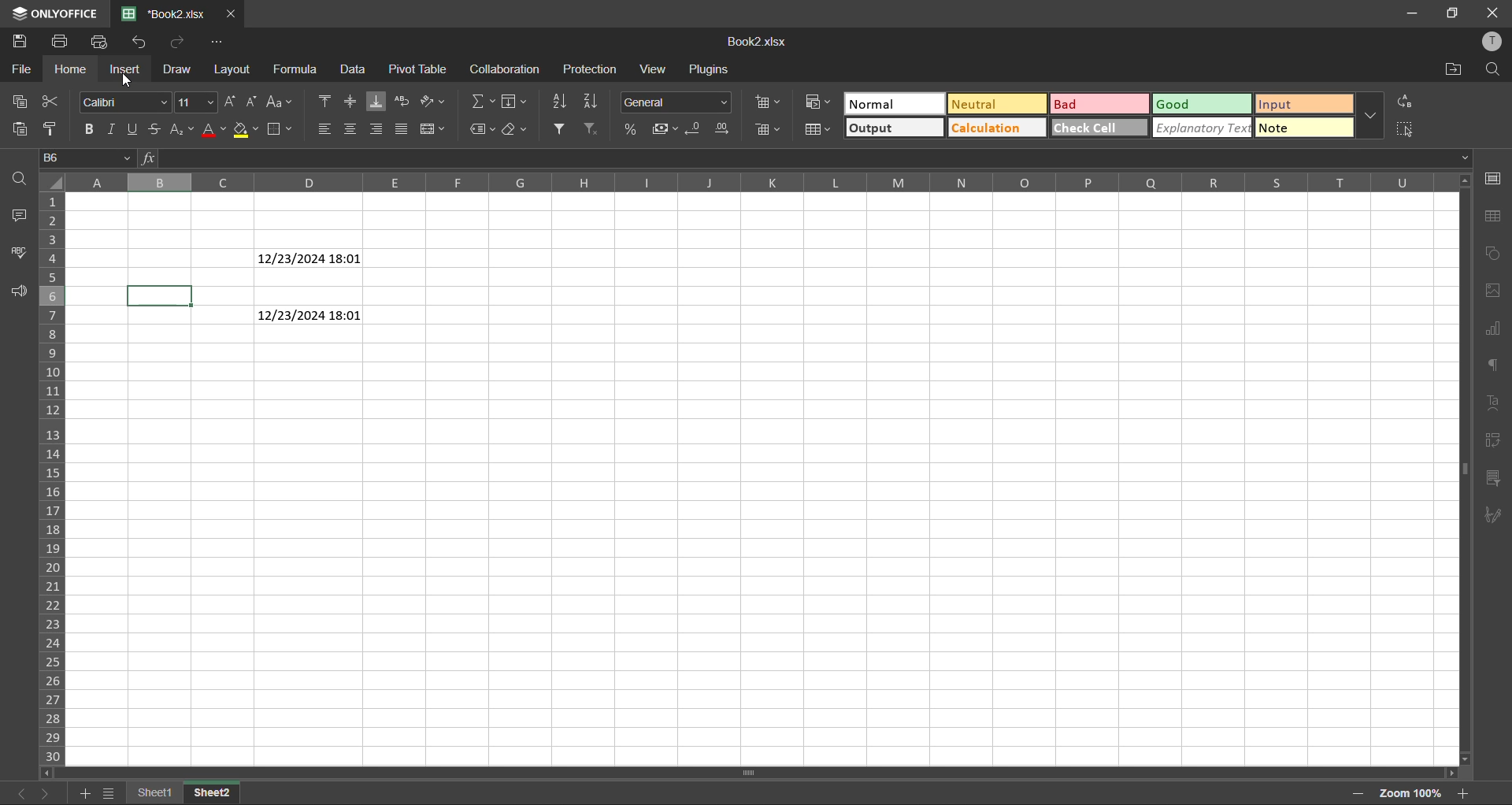 The width and height of the screenshot is (1512, 805). Describe the element at coordinates (155, 129) in the screenshot. I see `strikethrough` at that location.